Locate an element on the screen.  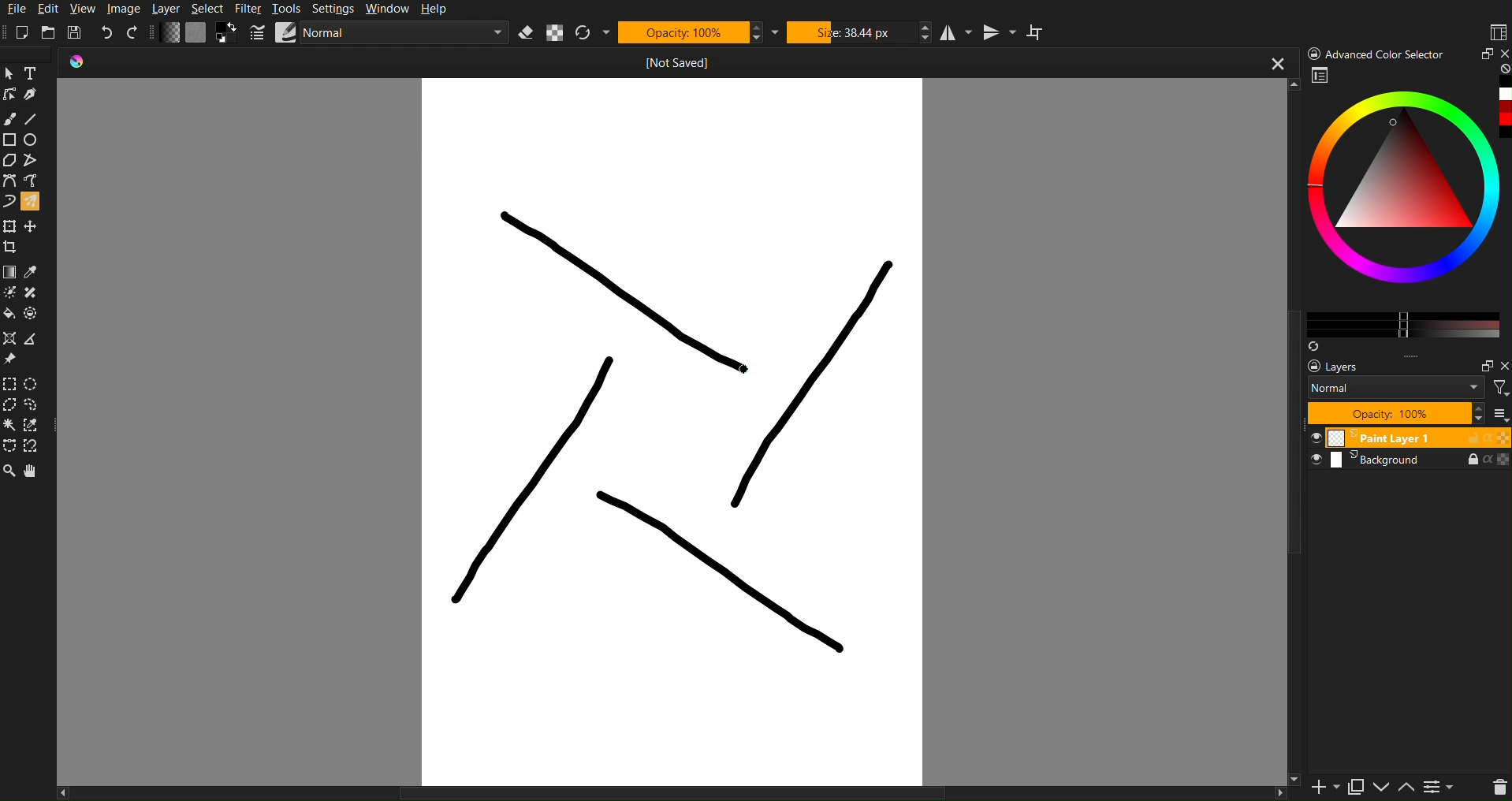
Magnetic Selection Tool is located at coordinates (37, 447).